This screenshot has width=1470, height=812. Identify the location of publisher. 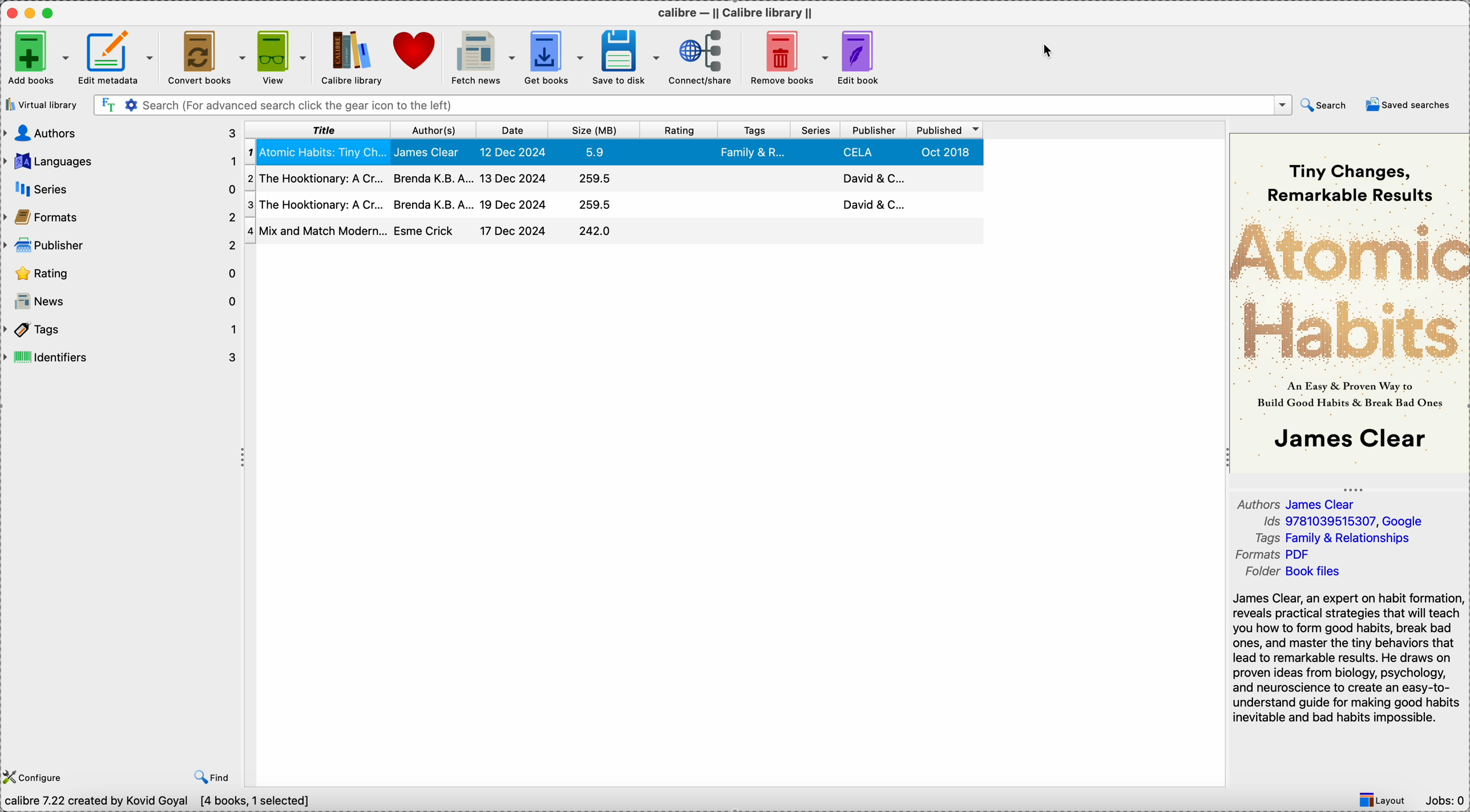
(875, 130).